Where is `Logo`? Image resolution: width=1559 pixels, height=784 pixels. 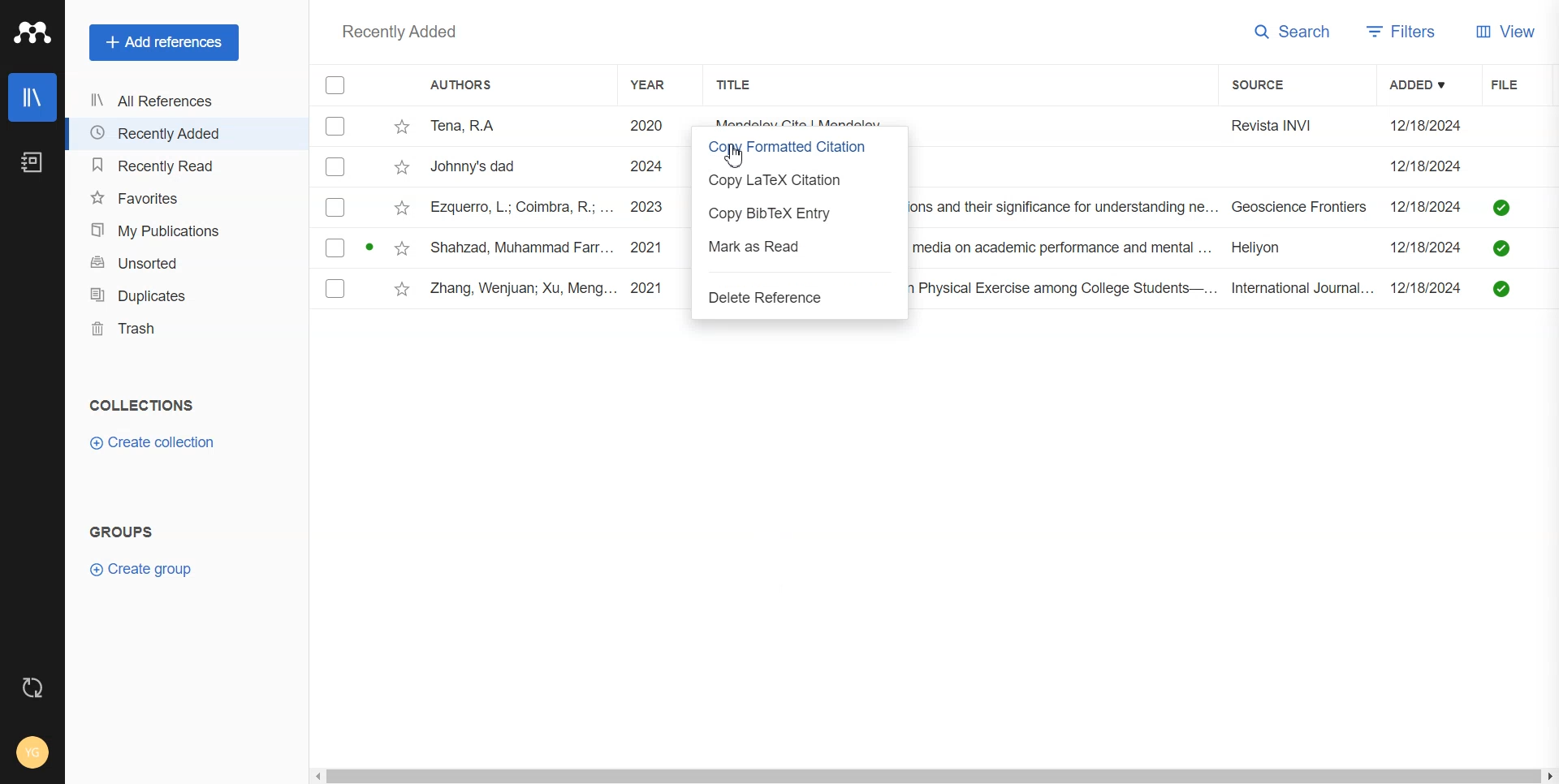
Logo is located at coordinates (32, 33).